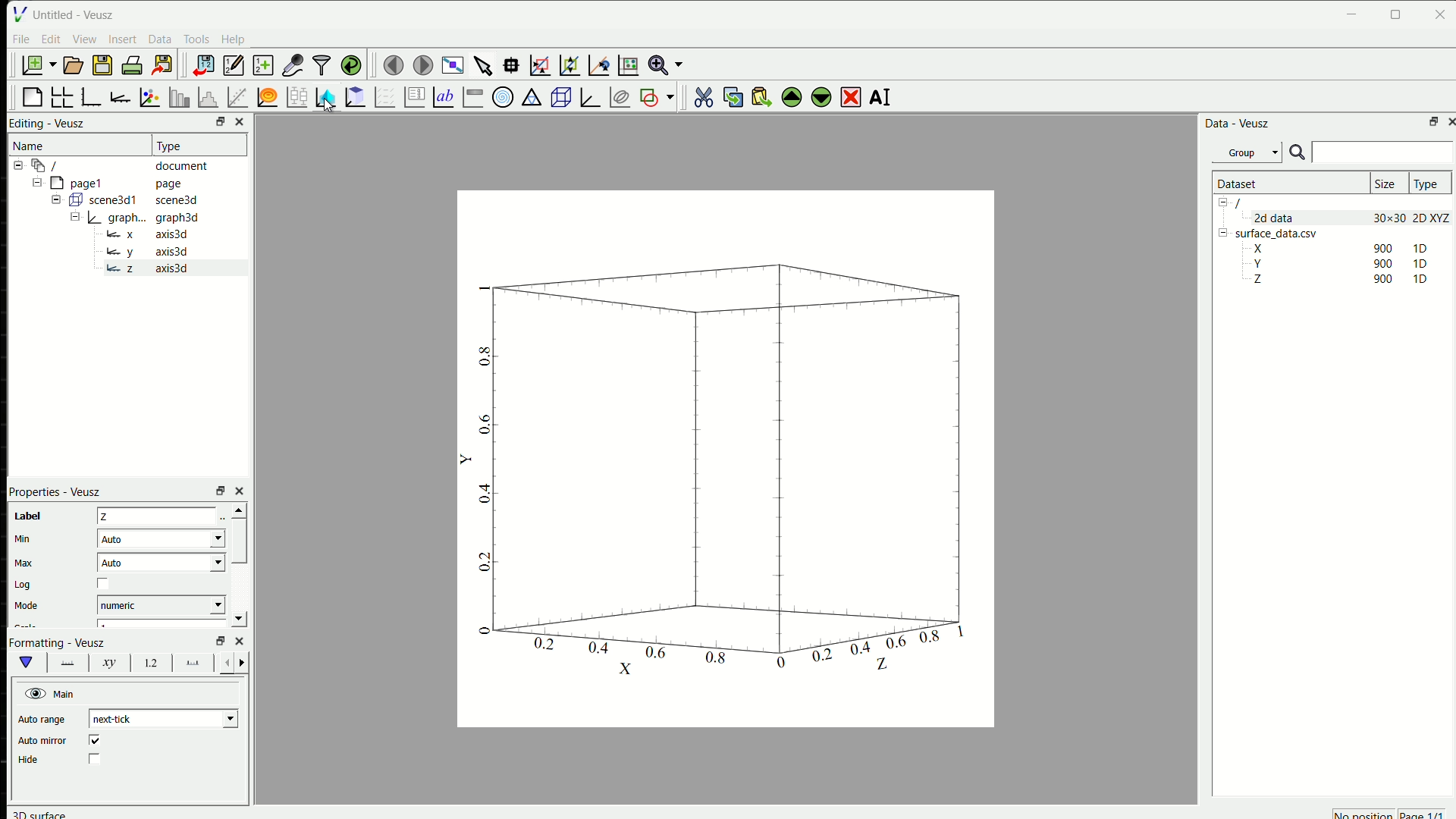 The image size is (1456, 819). What do you see at coordinates (534, 96) in the screenshot?
I see `ternary graph` at bounding box center [534, 96].